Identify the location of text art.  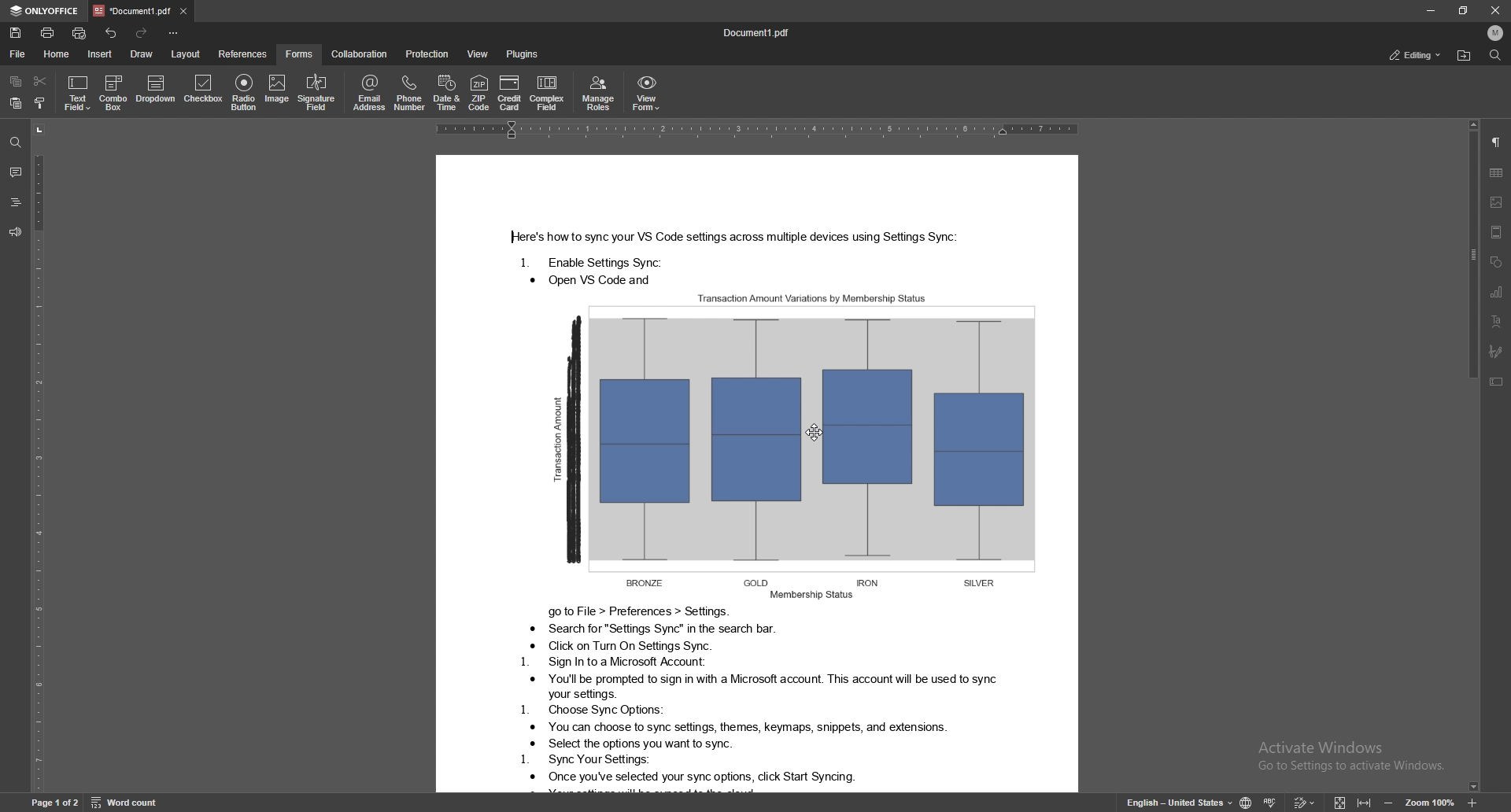
(1498, 320).